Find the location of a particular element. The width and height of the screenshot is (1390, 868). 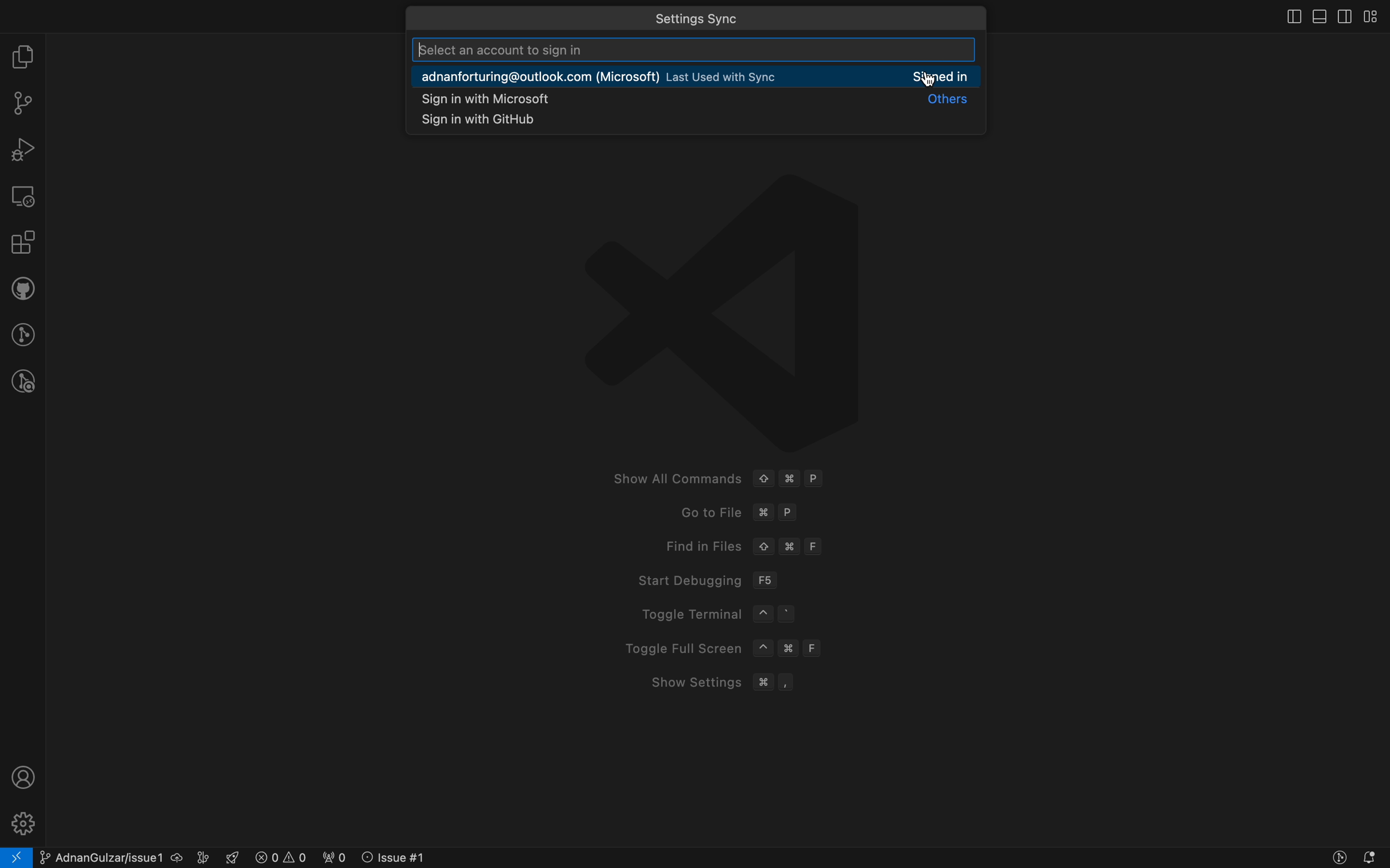

 is located at coordinates (1337, 859).